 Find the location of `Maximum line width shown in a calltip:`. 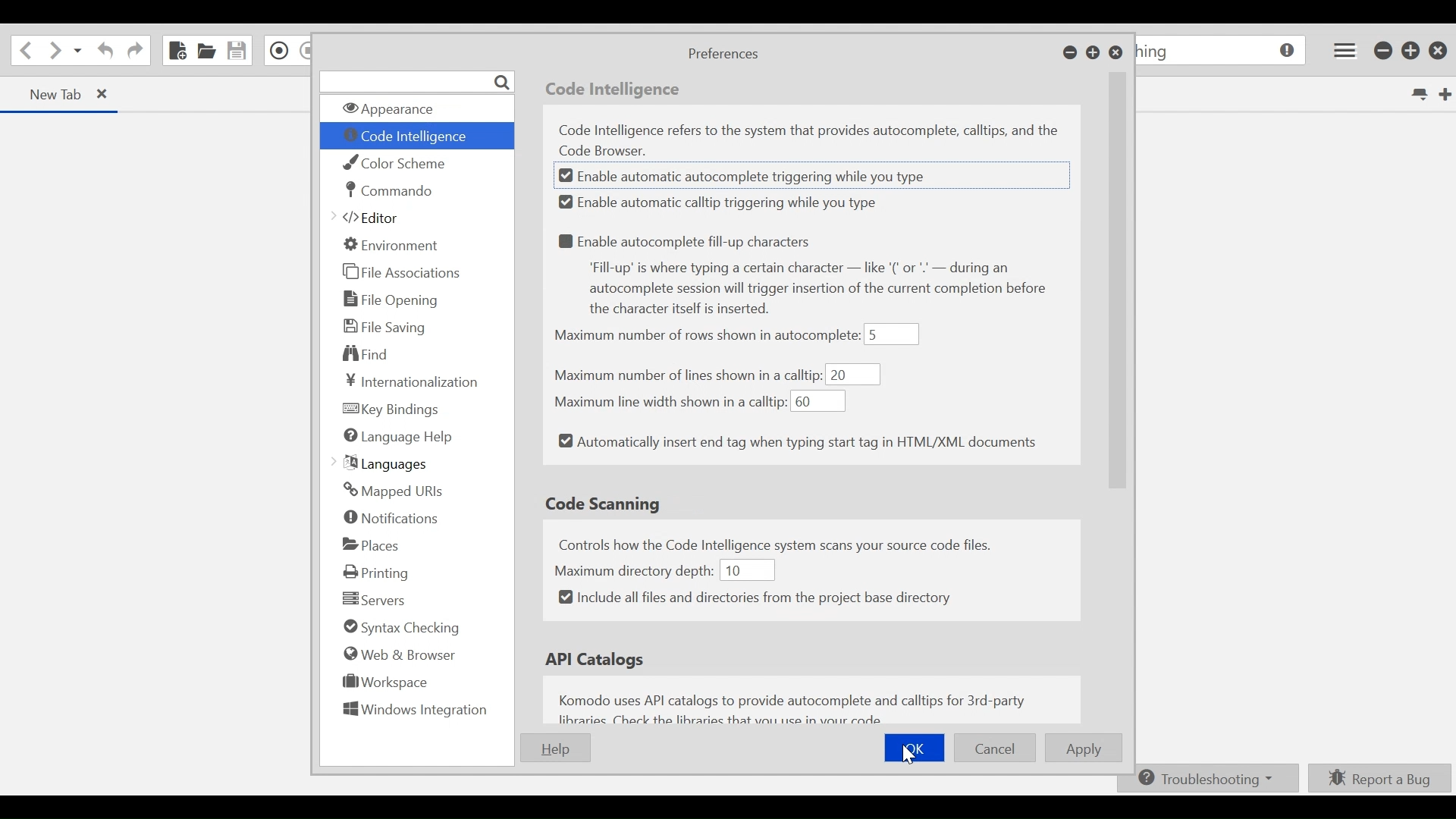

Maximum line width shown in a calltip: is located at coordinates (668, 400).